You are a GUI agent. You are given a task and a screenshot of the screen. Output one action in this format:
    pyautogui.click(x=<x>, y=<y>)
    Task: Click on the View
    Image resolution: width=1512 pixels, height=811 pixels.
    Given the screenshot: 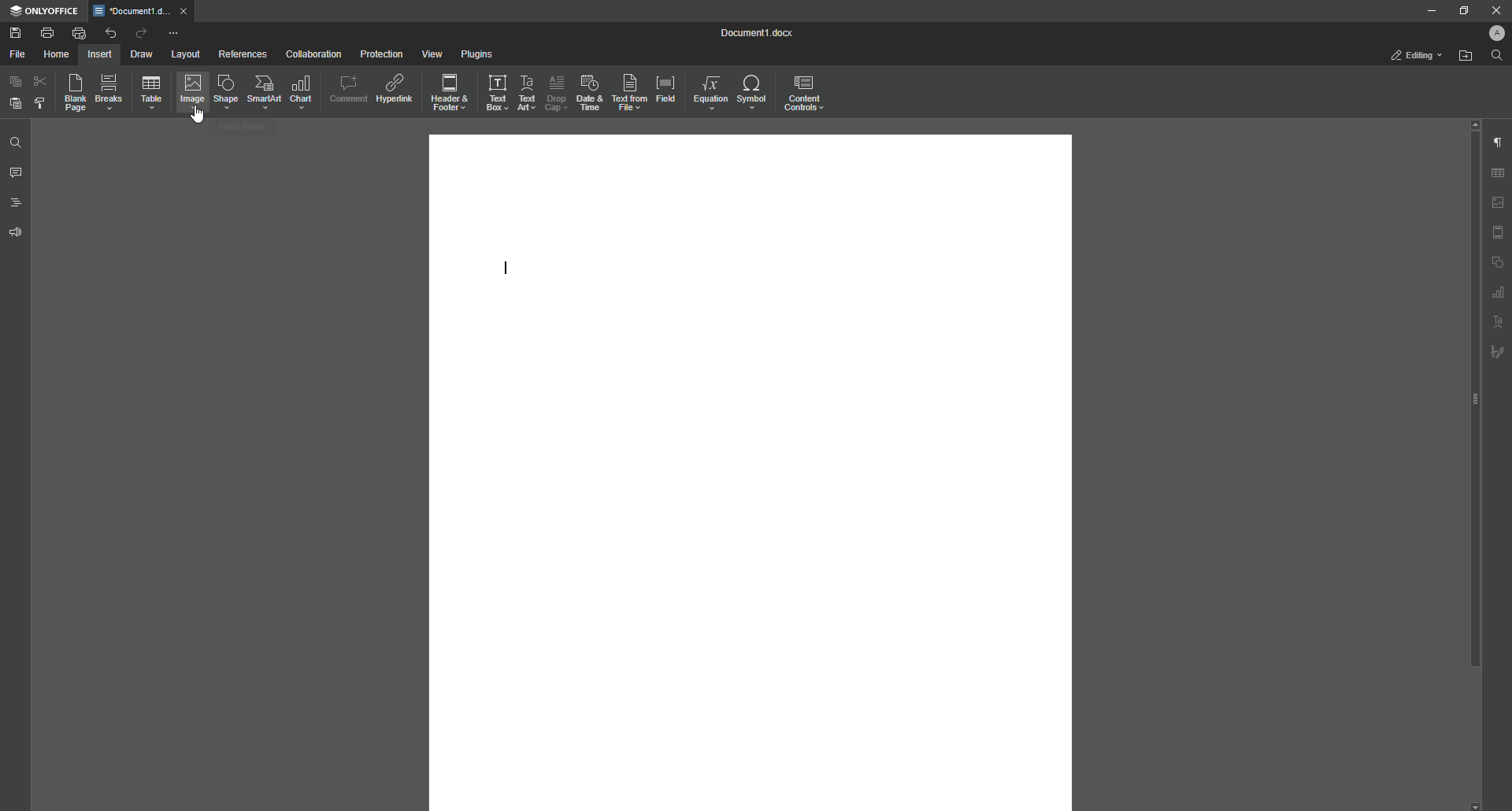 What is the action you would take?
    pyautogui.click(x=429, y=55)
    